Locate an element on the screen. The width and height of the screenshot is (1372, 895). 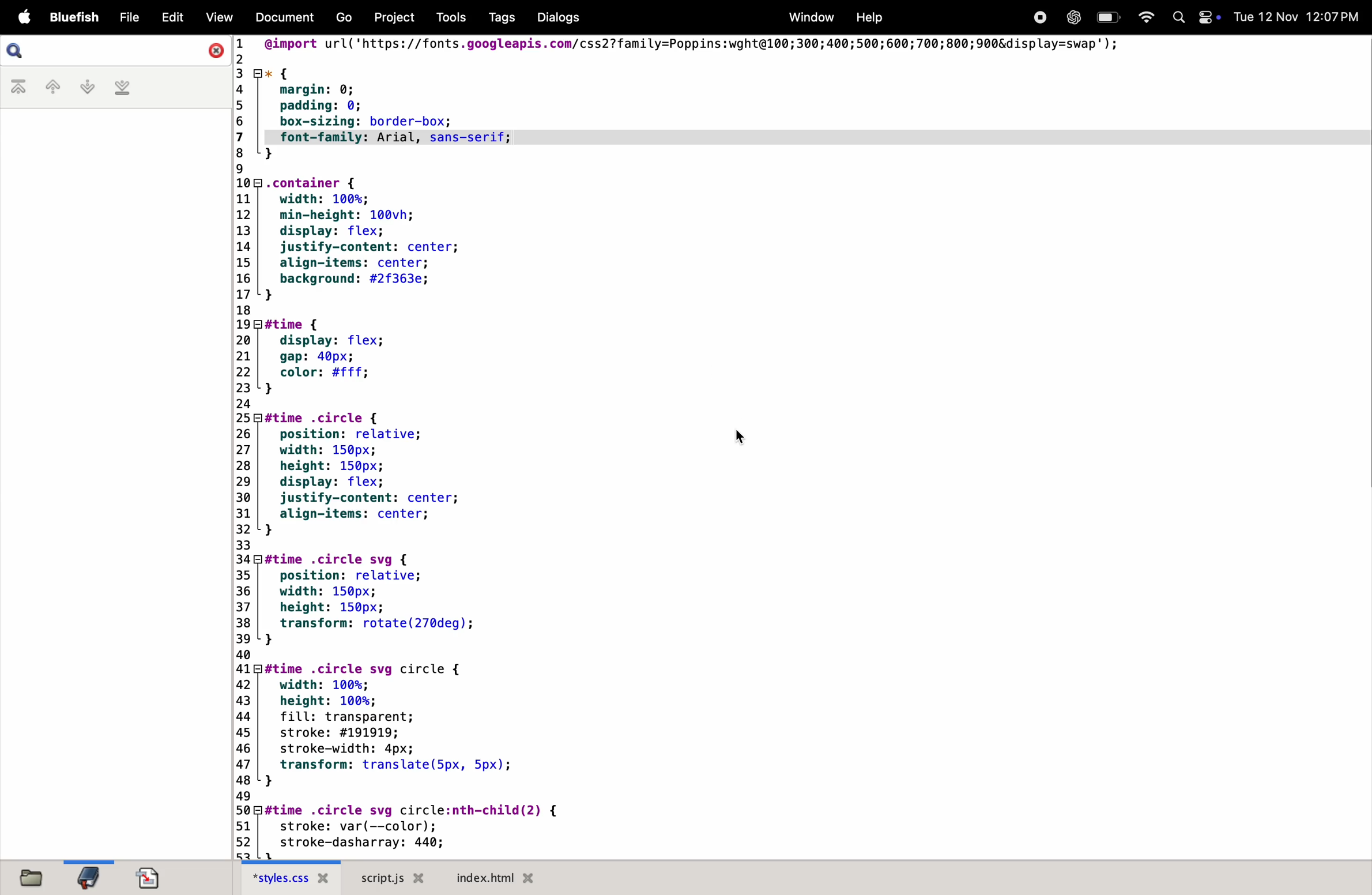
dialogs is located at coordinates (556, 17).